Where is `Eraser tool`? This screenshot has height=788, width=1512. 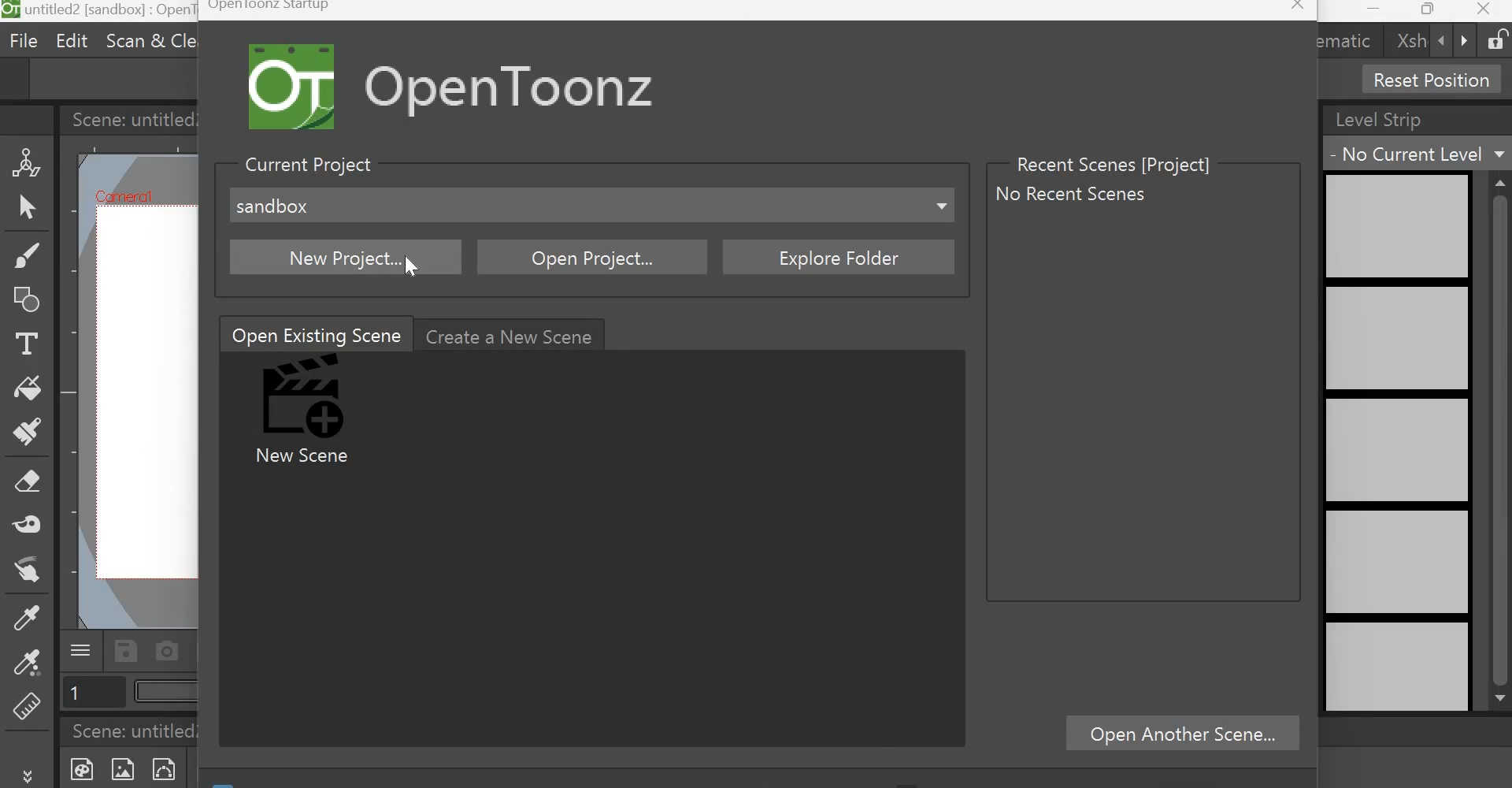 Eraser tool is located at coordinates (29, 481).